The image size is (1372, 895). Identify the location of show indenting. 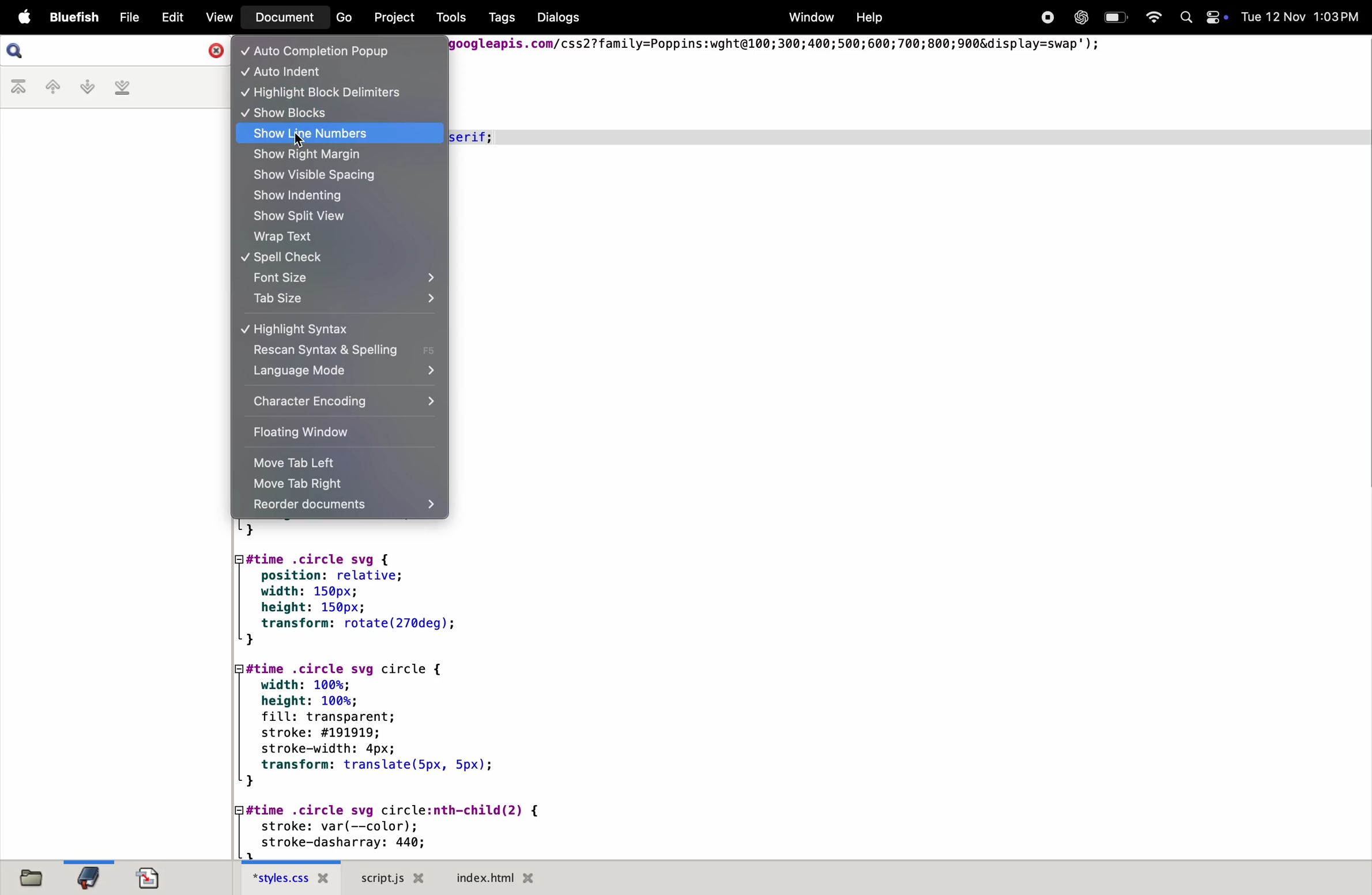
(338, 197).